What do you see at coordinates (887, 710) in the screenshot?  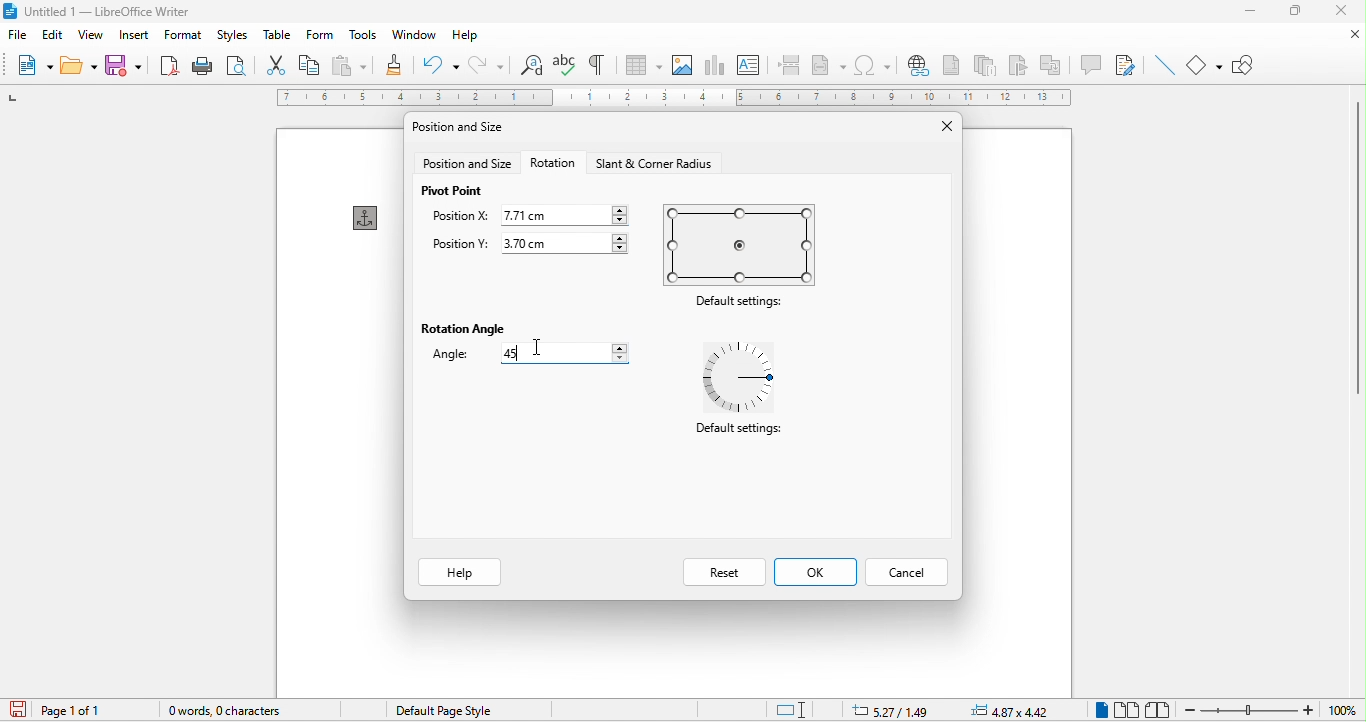 I see `5.27/1.49` at bounding box center [887, 710].